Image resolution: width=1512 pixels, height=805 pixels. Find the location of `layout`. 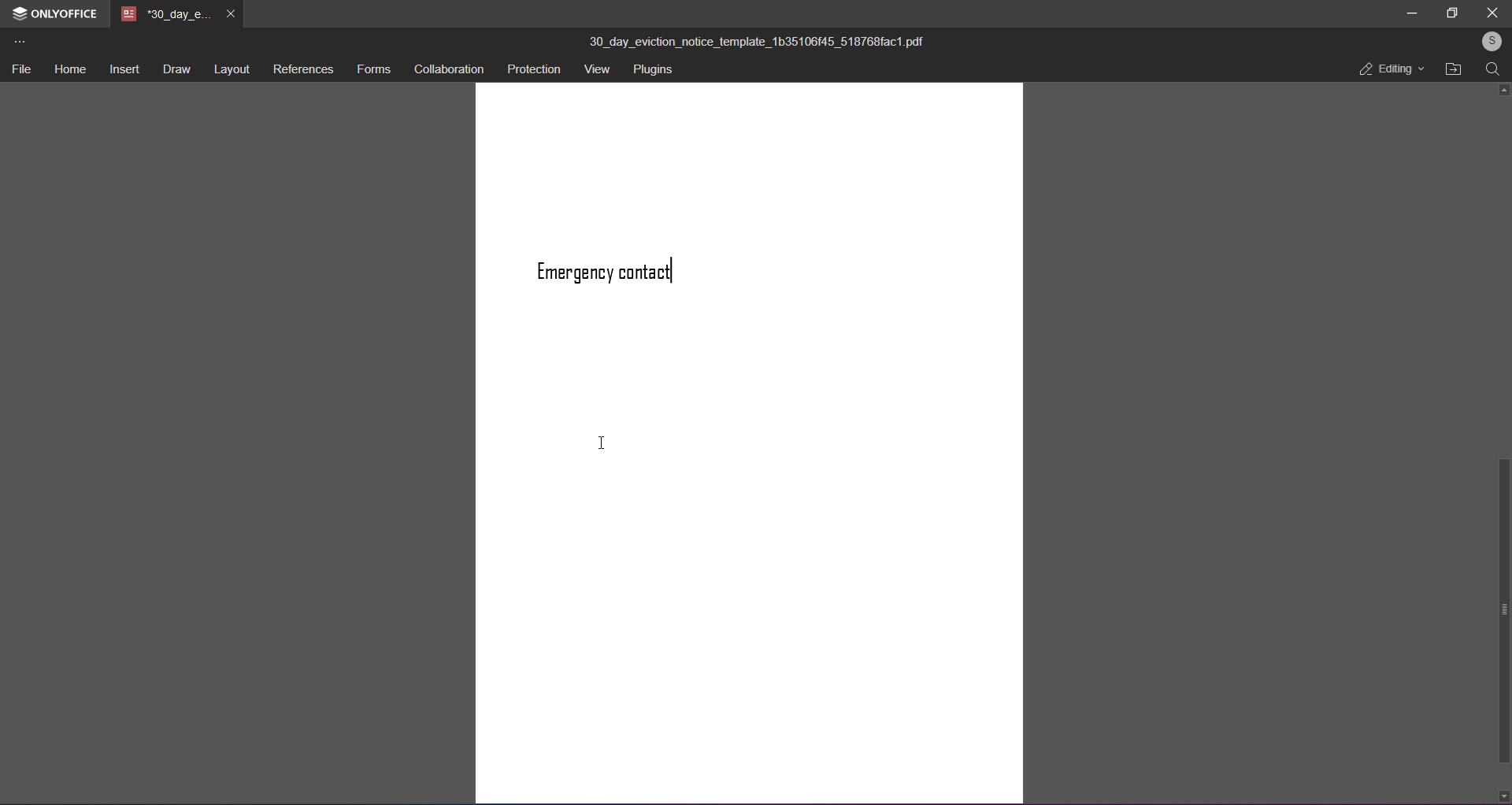

layout is located at coordinates (232, 71).